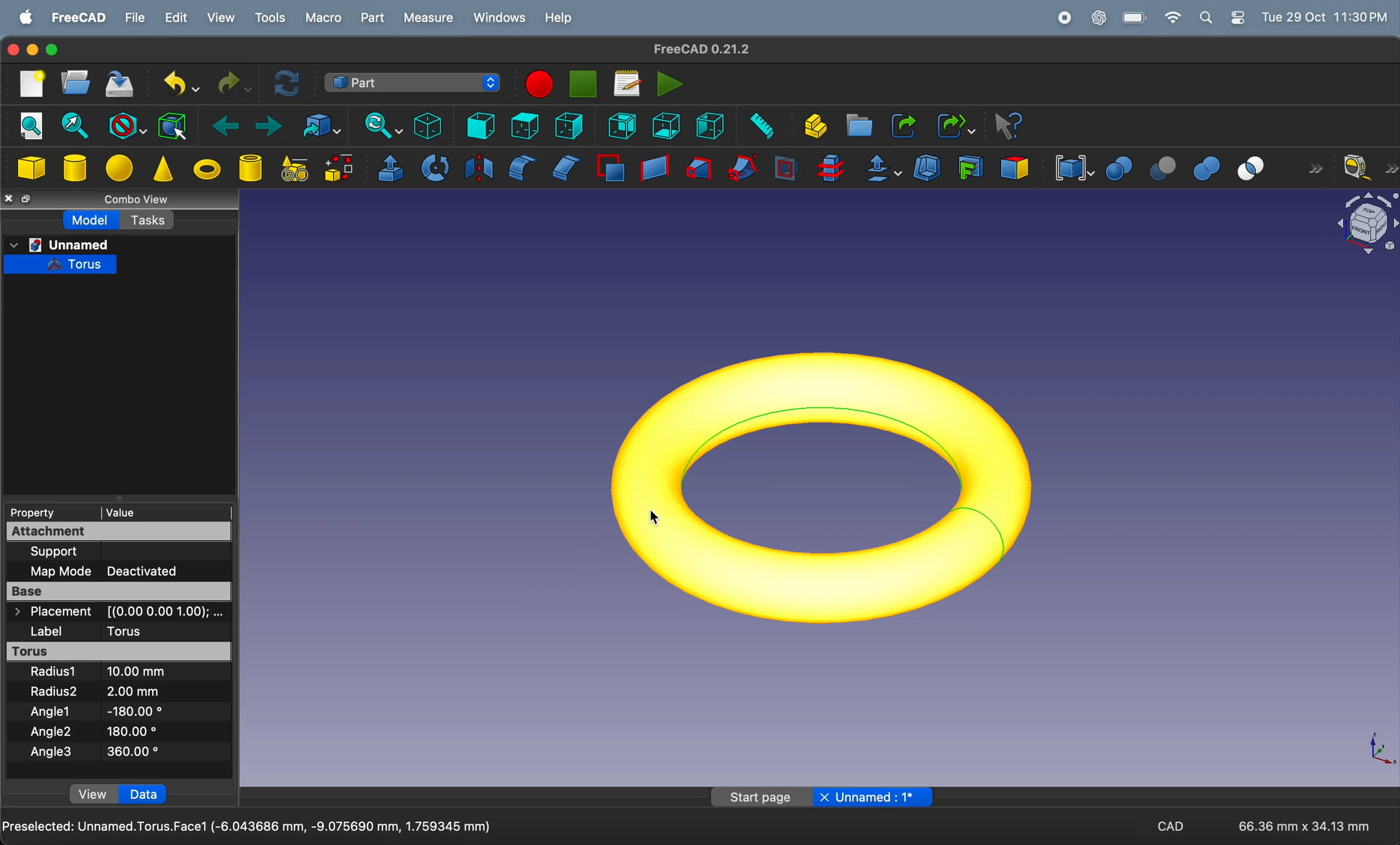  What do you see at coordinates (143, 199) in the screenshot?
I see `combo views` at bounding box center [143, 199].